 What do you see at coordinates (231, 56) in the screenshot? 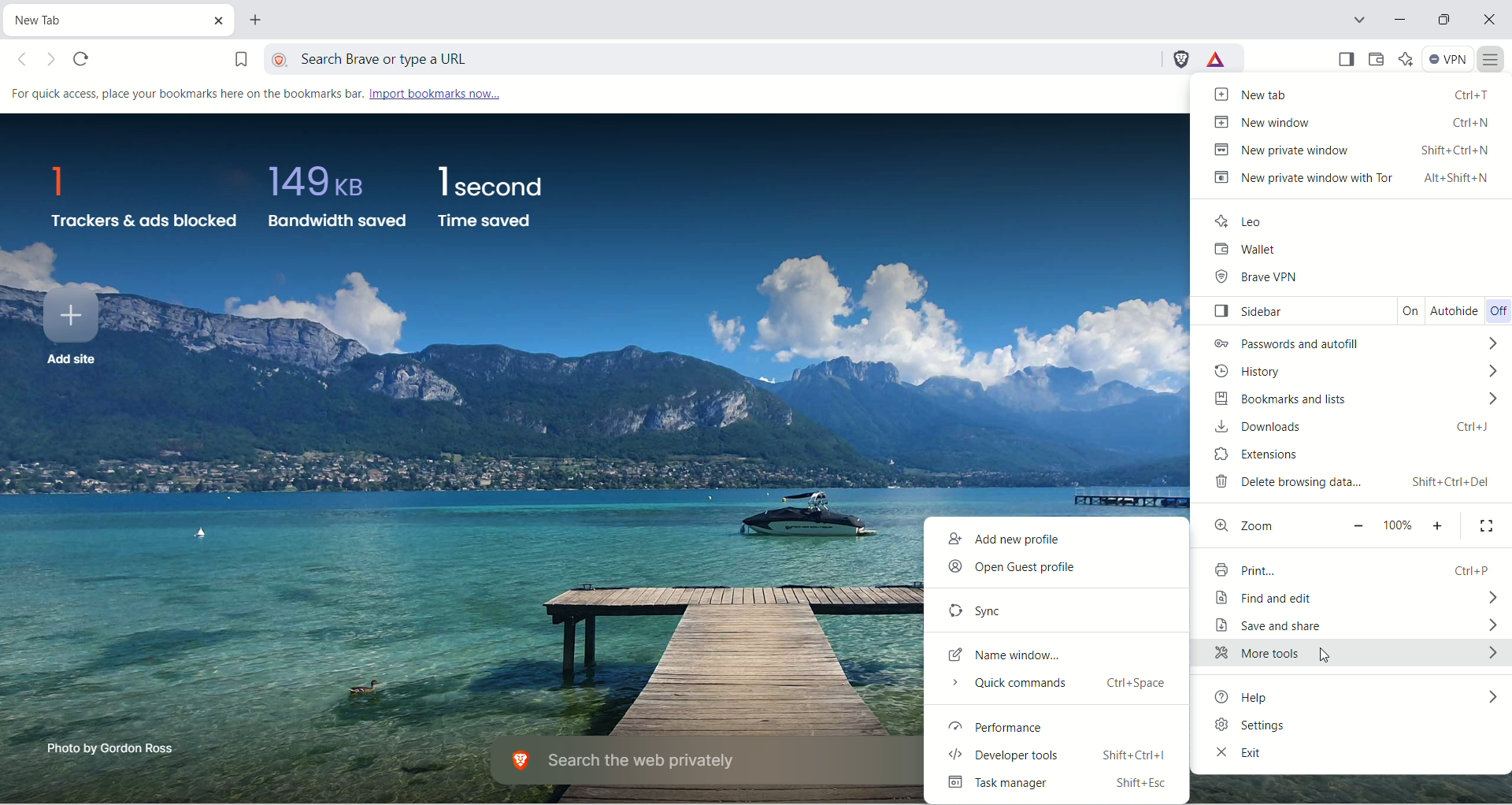
I see `bookmark` at bounding box center [231, 56].